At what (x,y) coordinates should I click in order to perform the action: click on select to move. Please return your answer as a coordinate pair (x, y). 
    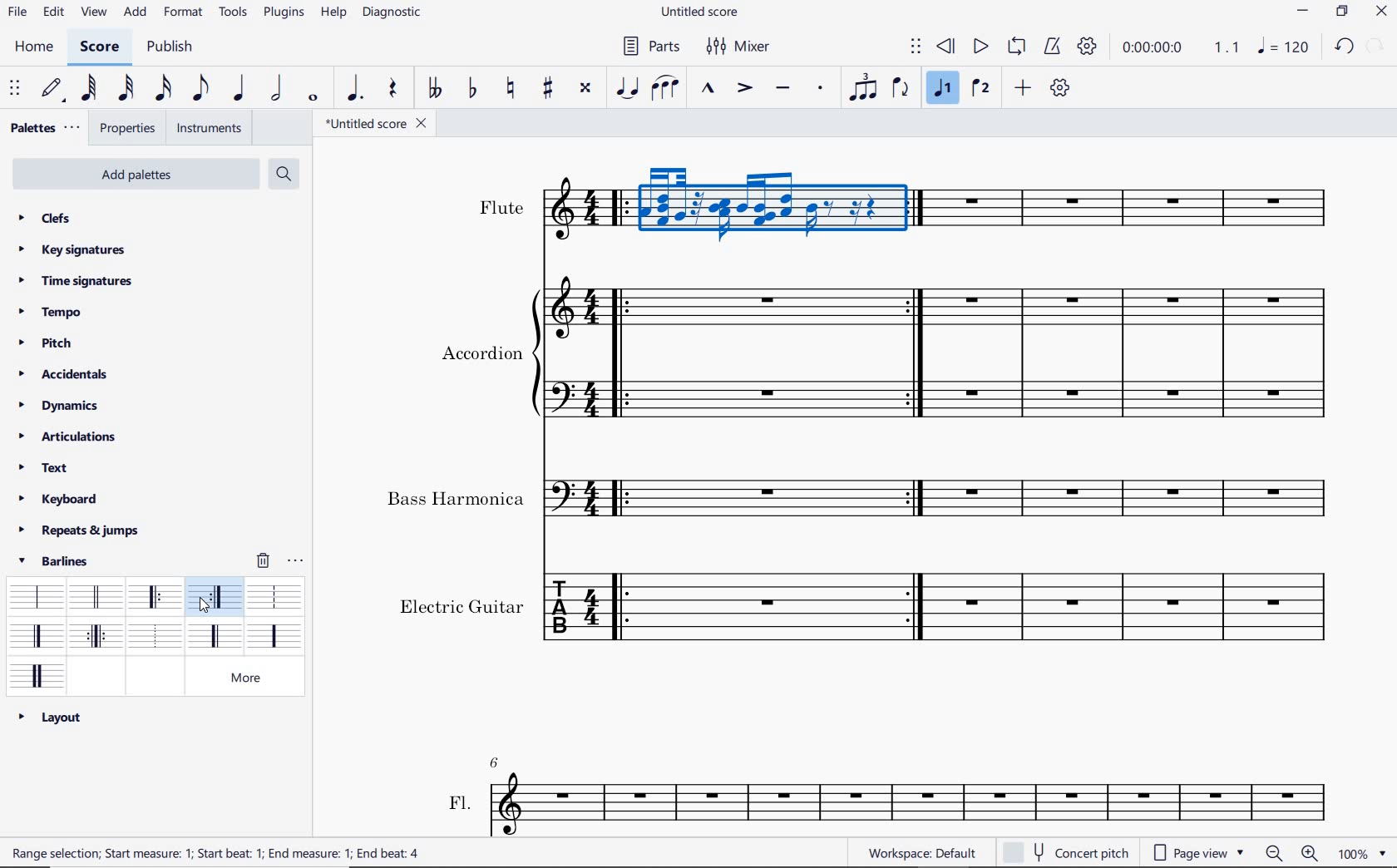
    Looking at the image, I should click on (15, 89).